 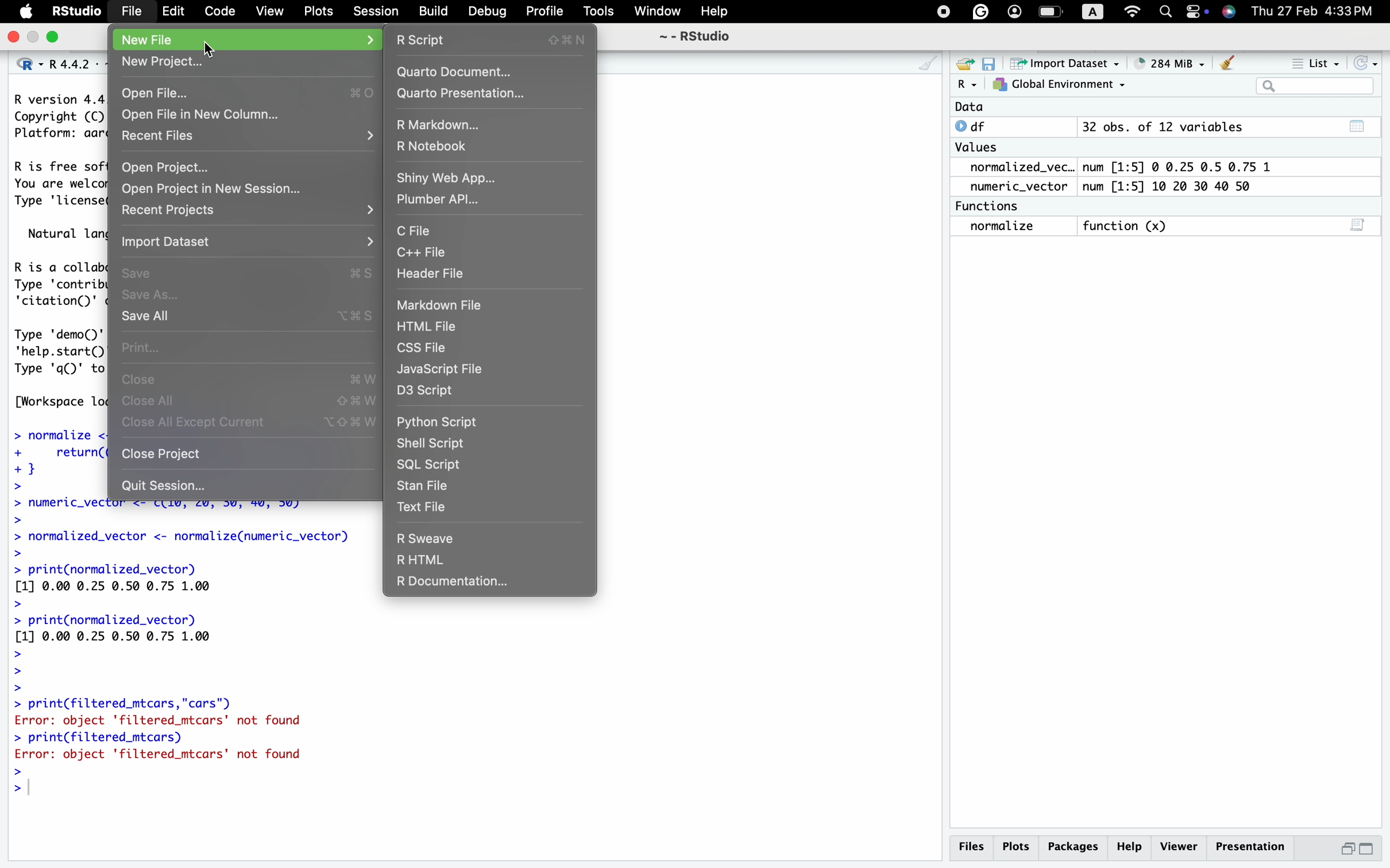 I want to click on Open Project..., so click(x=168, y=164).